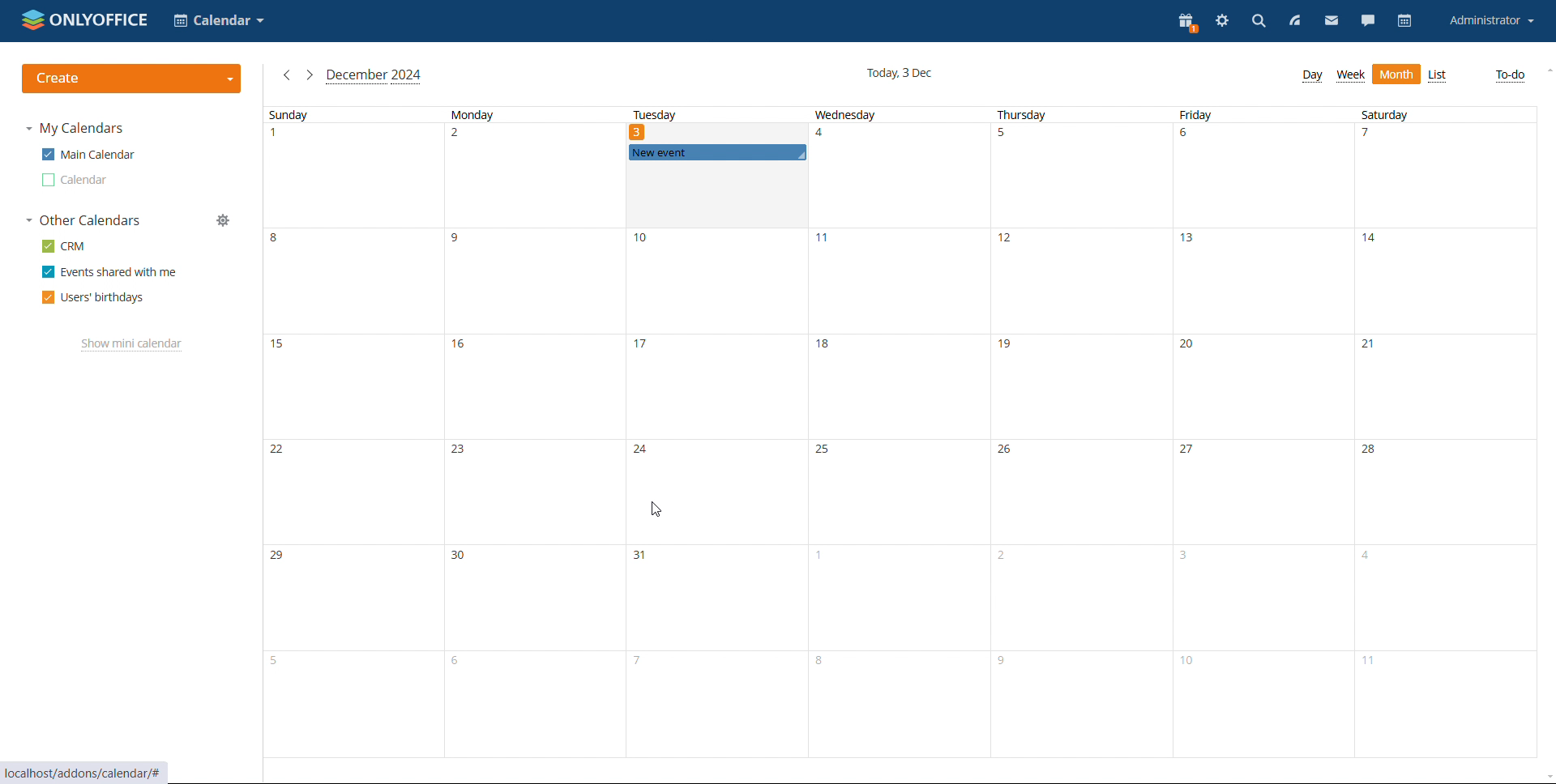 The height and width of the screenshot is (784, 1556). What do you see at coordinates (716, 195) in the screenshot?
I see `date` at bounding box center [716, 195].